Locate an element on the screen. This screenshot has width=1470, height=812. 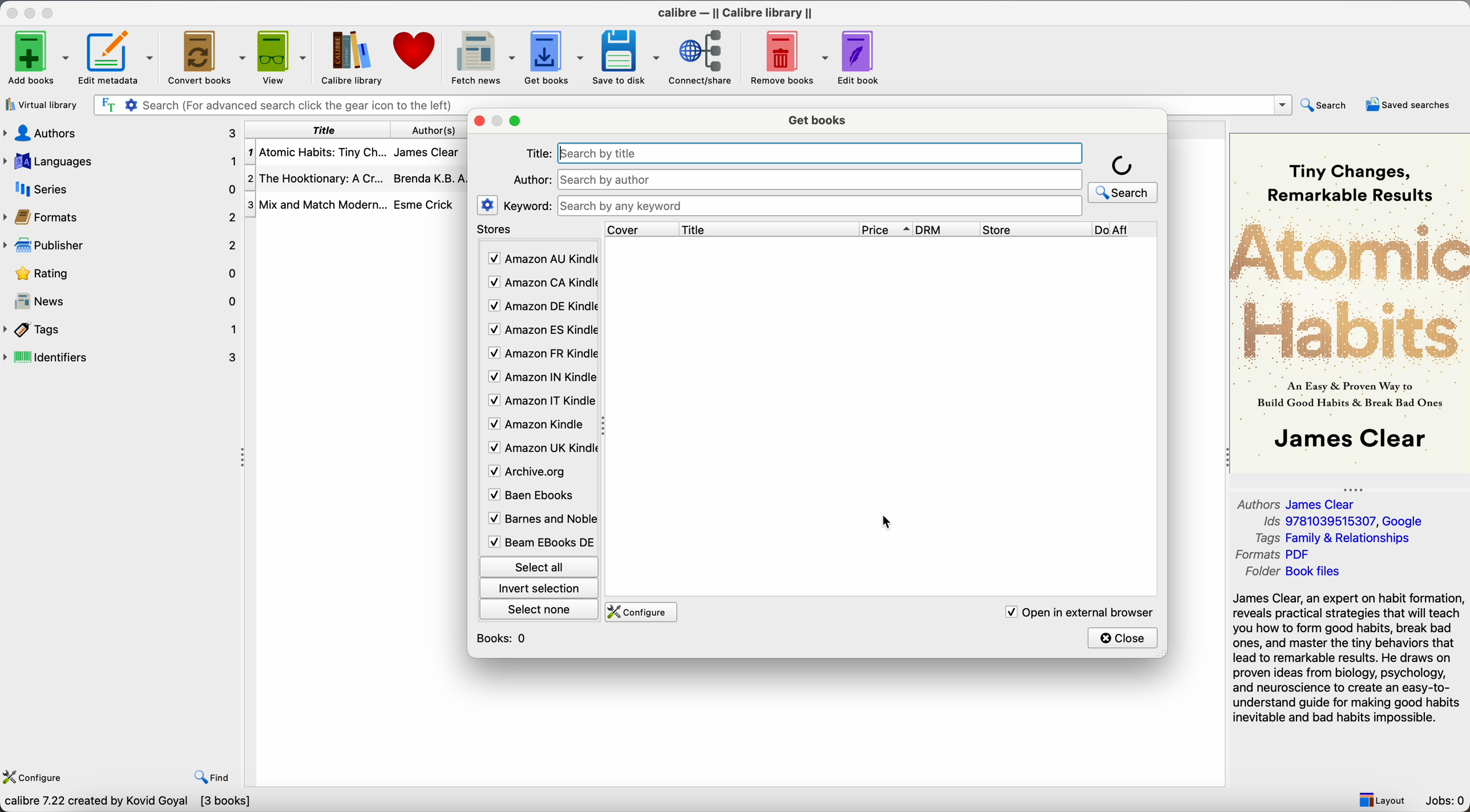
select all is located at coordinates (538, 565).